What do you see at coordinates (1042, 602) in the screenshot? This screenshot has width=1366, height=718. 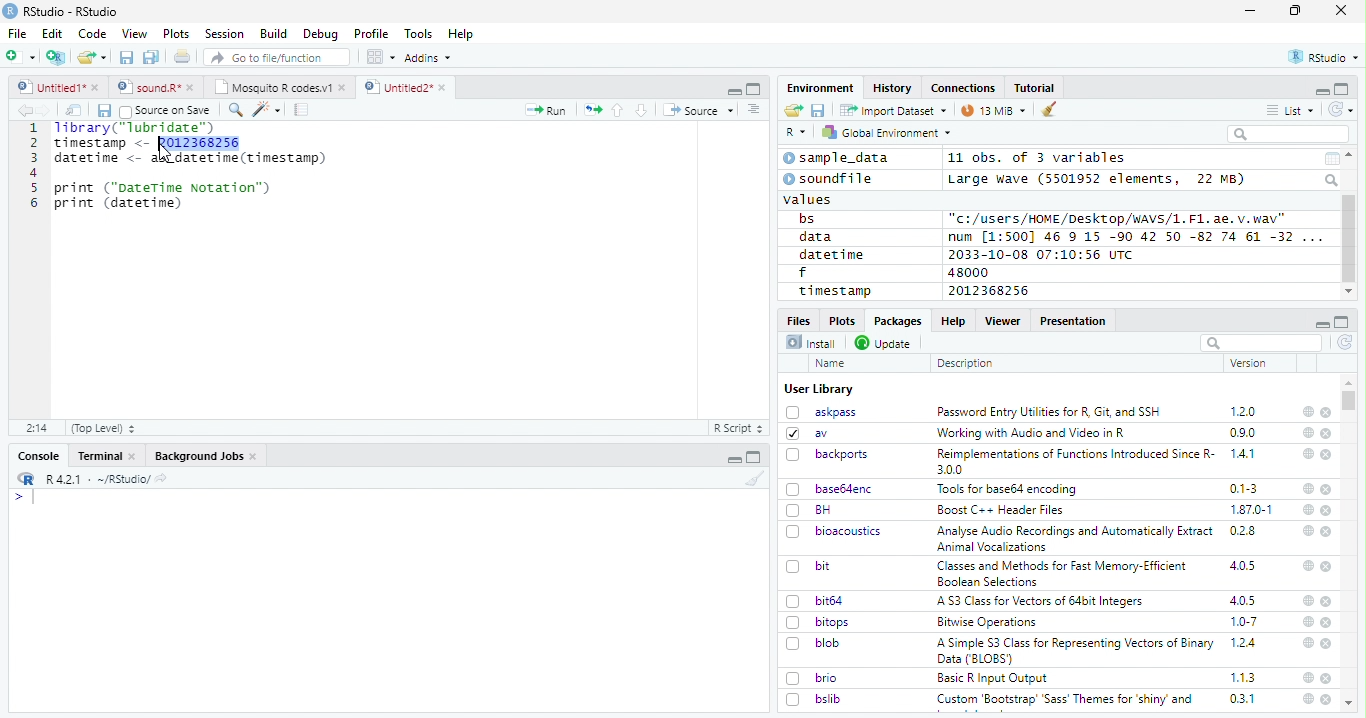 I see `A S3 Class for Vectors of 64bit Integers` at bounding box center [1042, 602].